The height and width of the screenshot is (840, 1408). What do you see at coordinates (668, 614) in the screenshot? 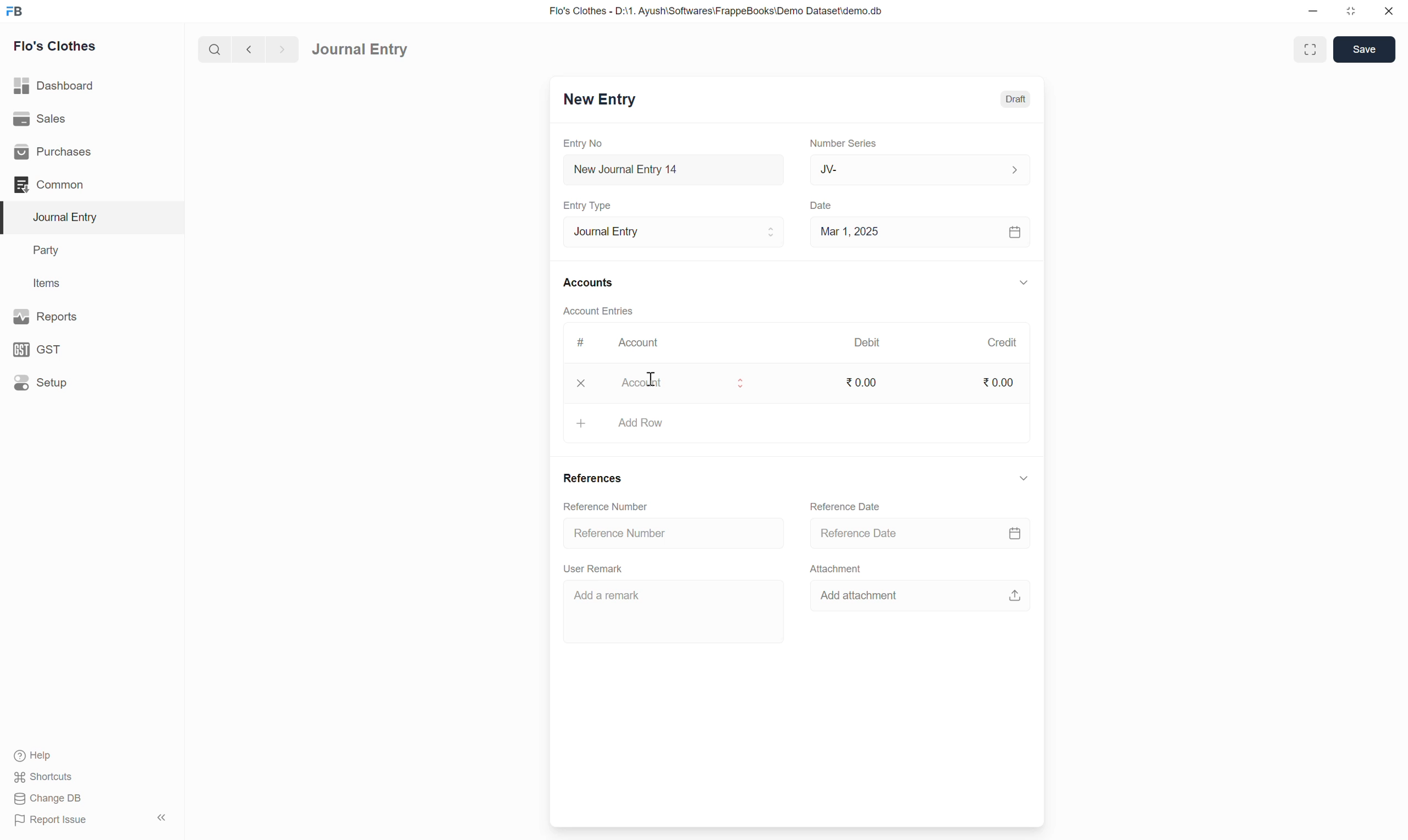
I see `Add a remark` at bounding box center [668, 614].